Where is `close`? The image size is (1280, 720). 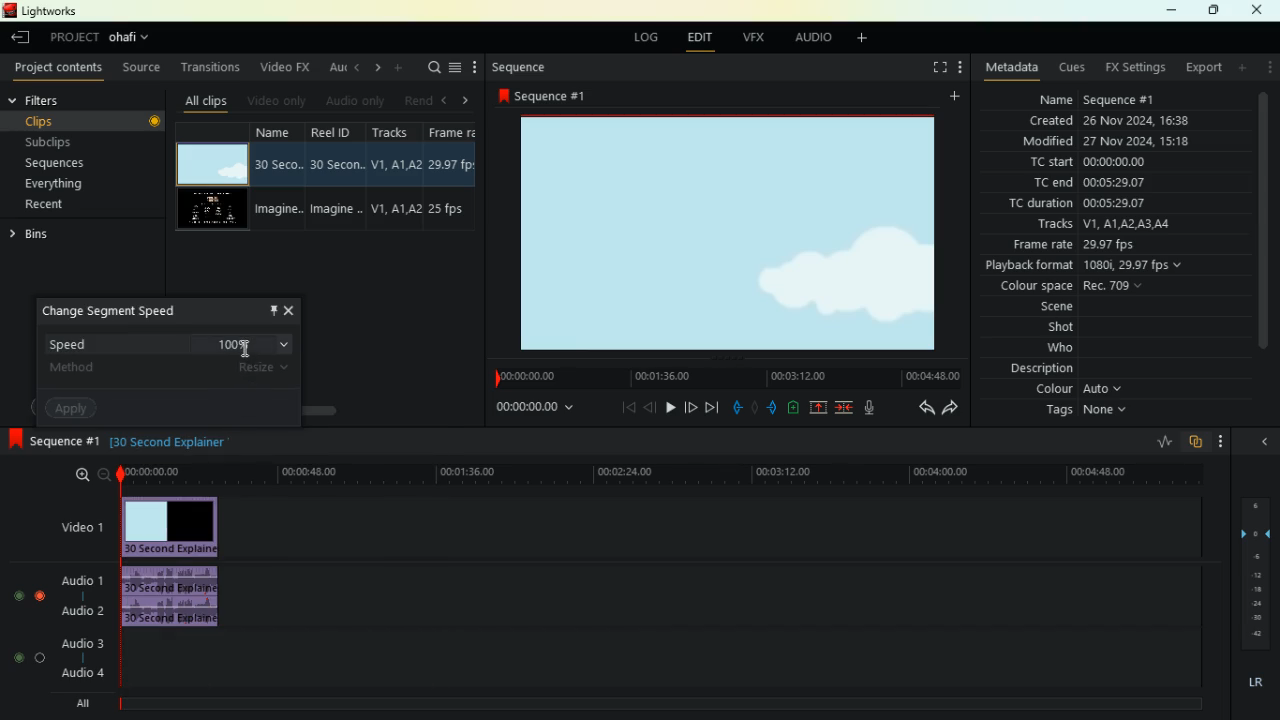
close is located at coordinates (1261, 9).